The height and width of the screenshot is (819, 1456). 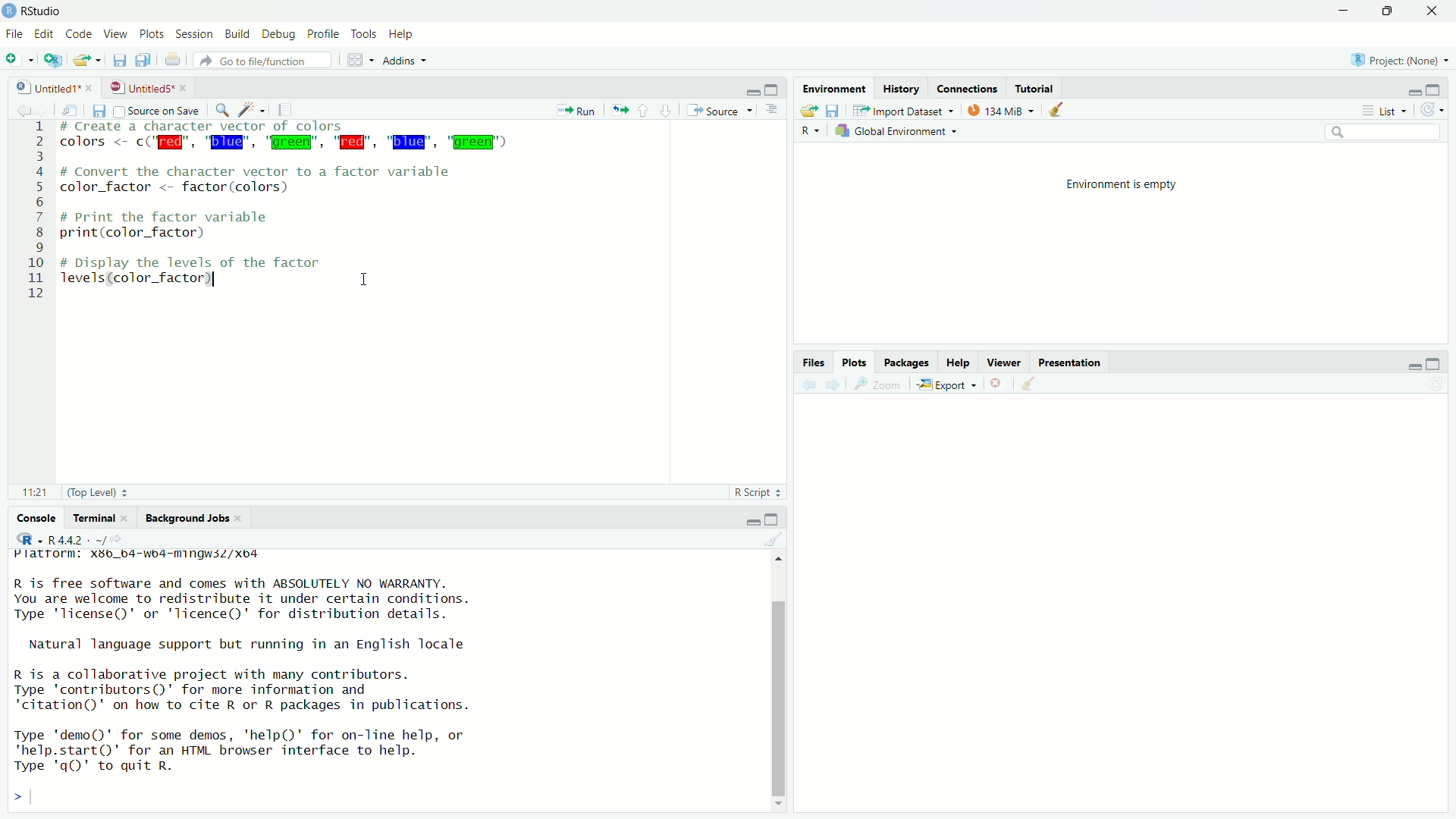 What do you see at coordinates (718, 111) in the screenshot?
I see `source` at bounding box center [718, 111].